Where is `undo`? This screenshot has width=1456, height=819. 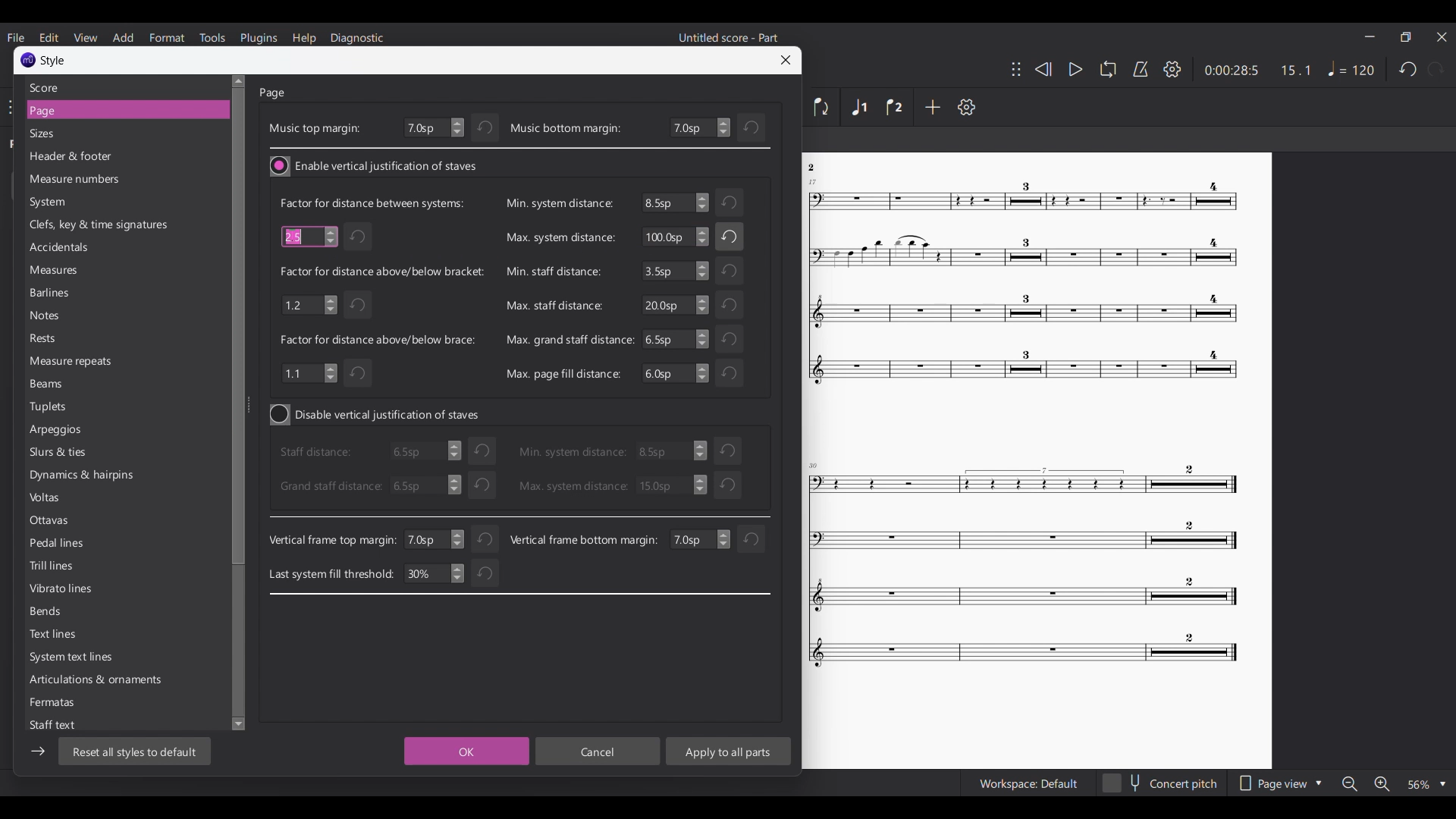
undo is located at coordinates (482, 450).